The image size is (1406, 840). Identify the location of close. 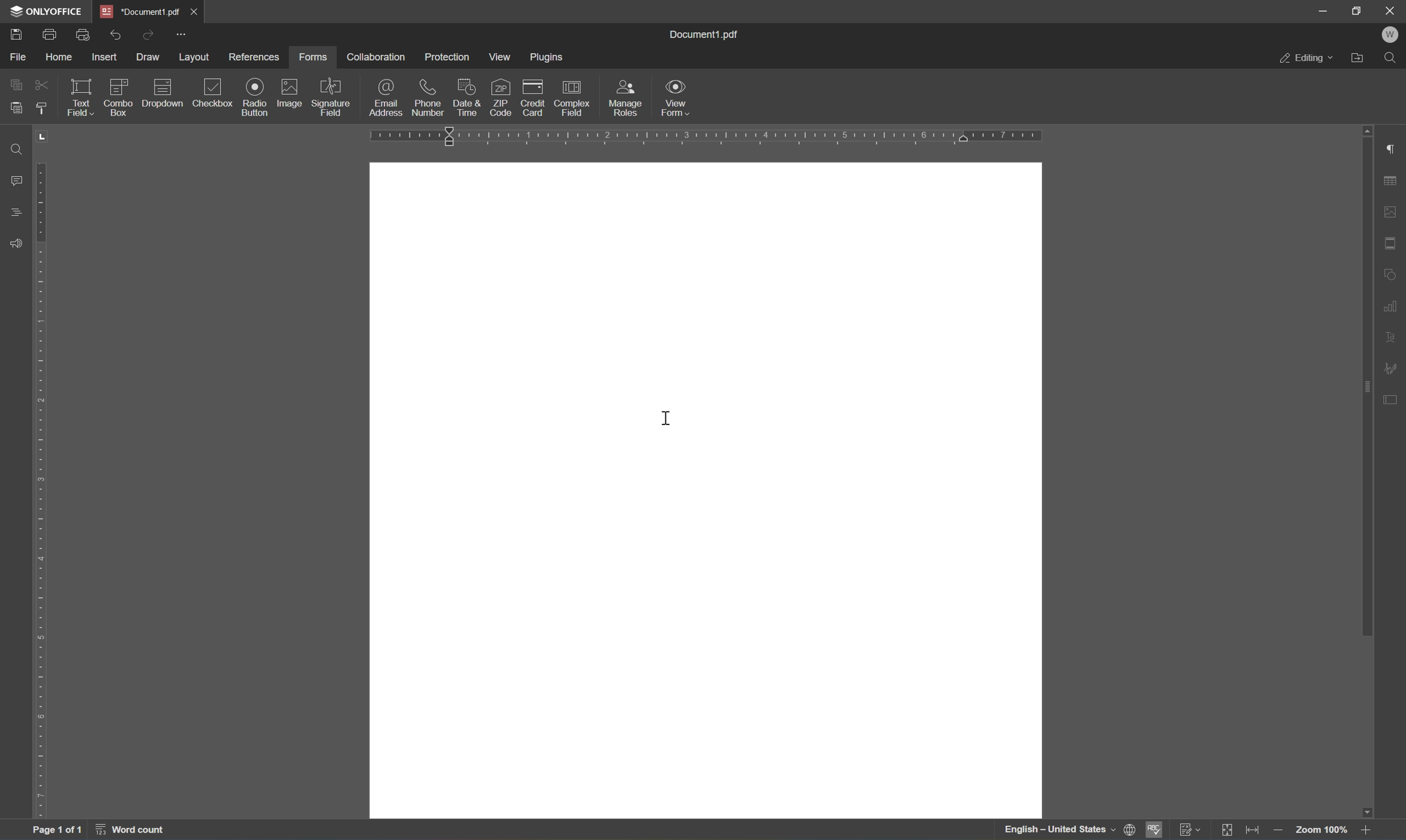
(1390, 11).